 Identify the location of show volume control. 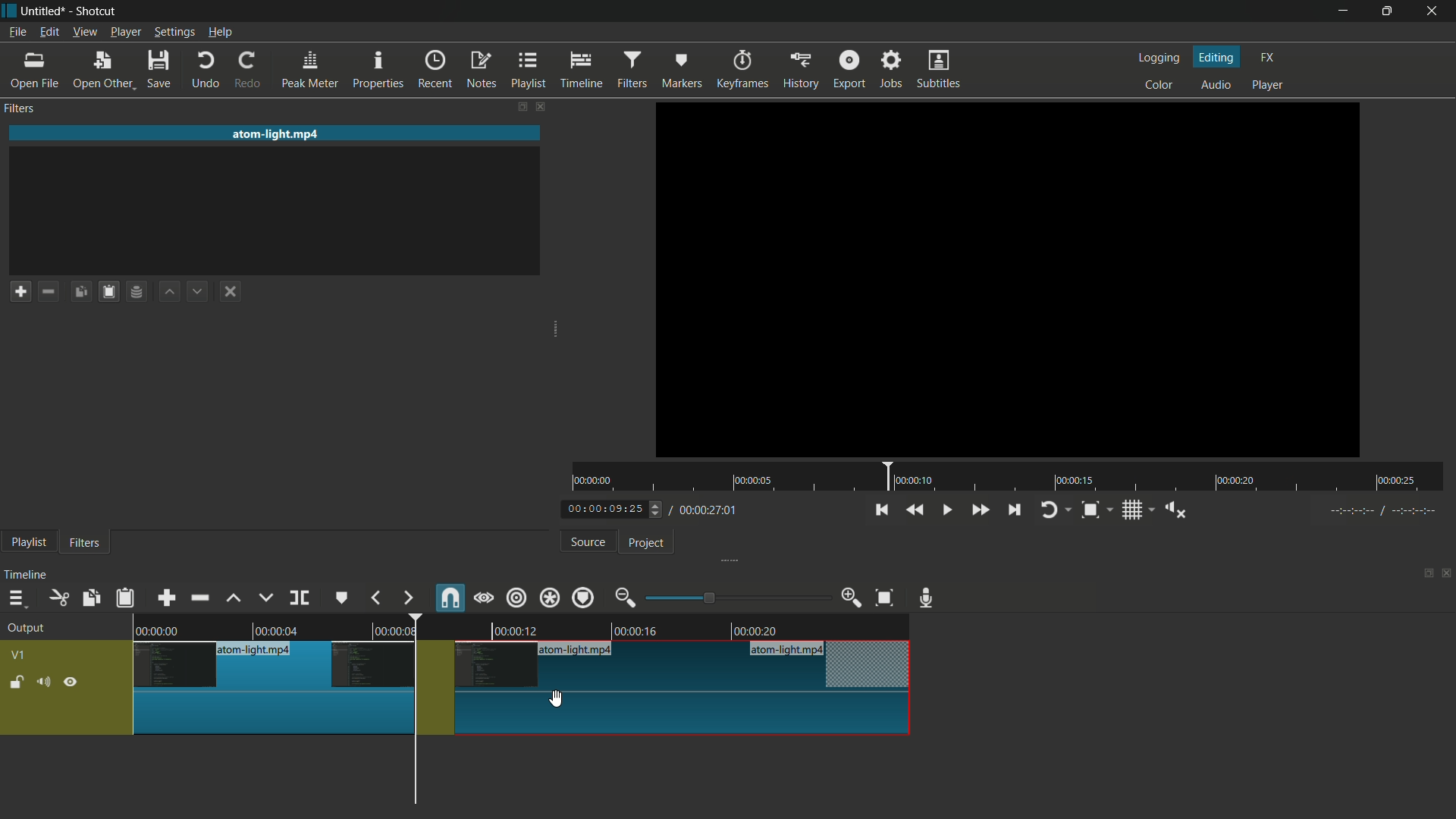
(1175, 509).